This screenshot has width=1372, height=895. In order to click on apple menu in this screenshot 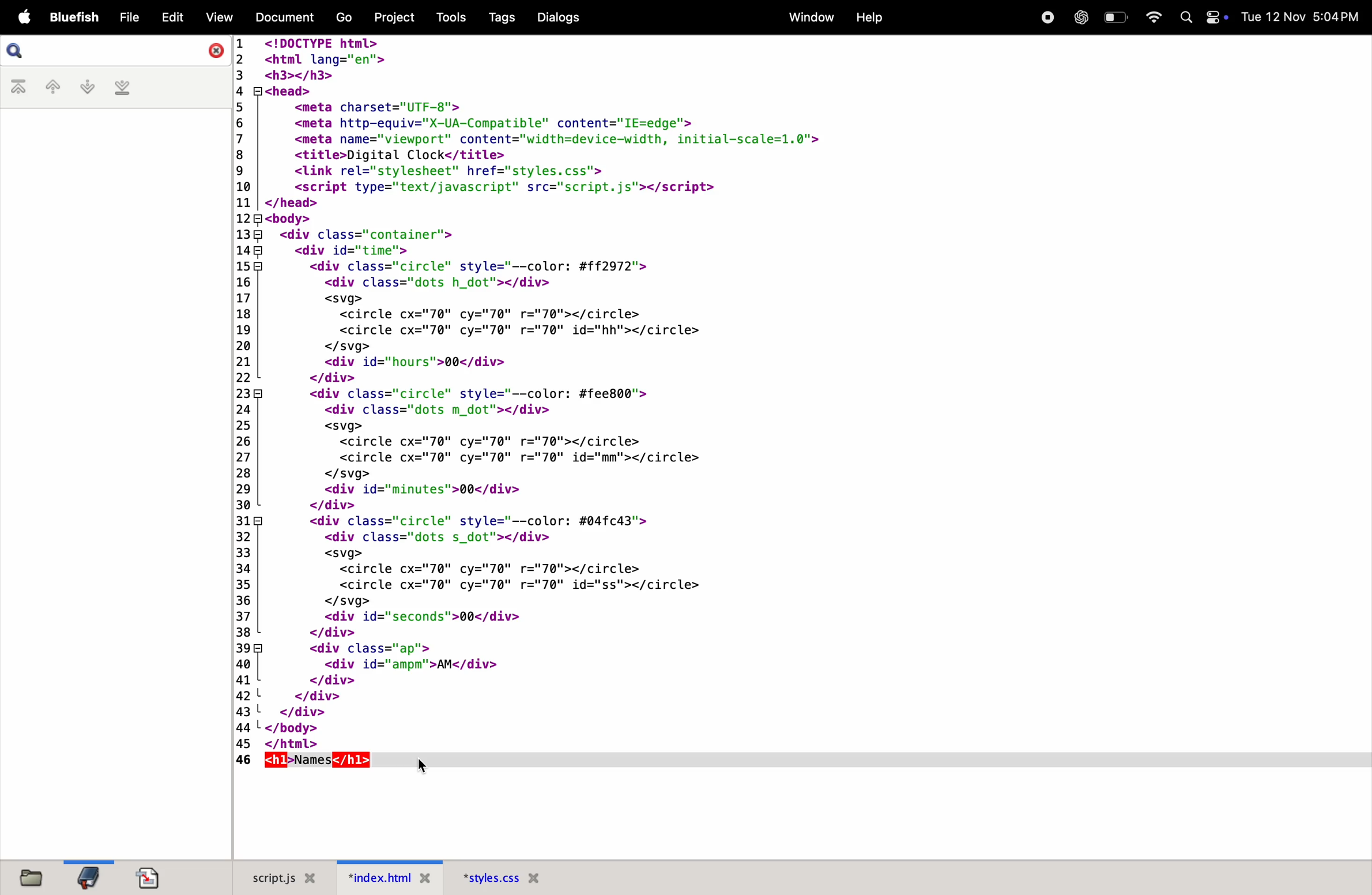, I will do `click(24, 18)`.